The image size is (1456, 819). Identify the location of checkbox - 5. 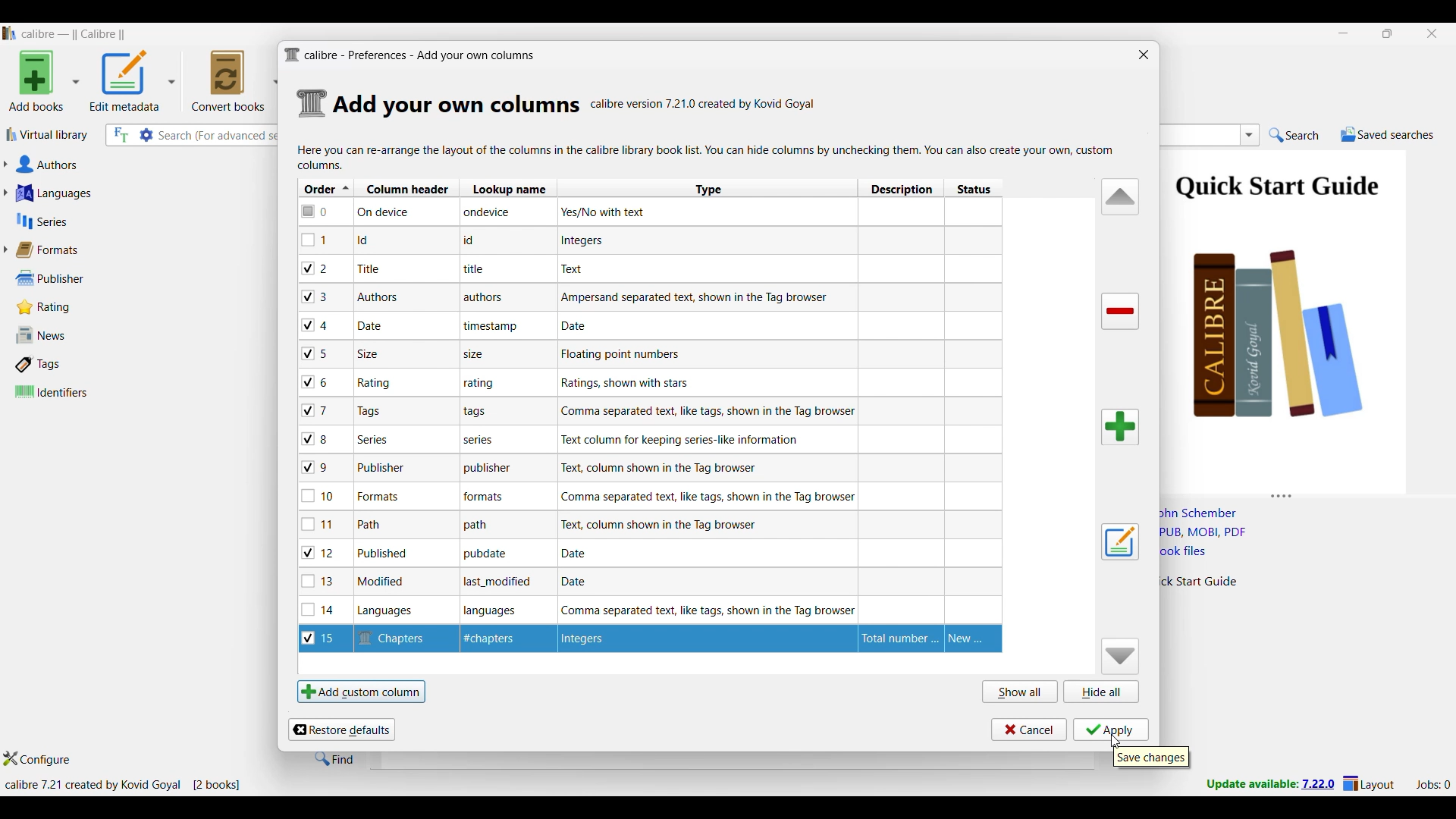
(321, 353).